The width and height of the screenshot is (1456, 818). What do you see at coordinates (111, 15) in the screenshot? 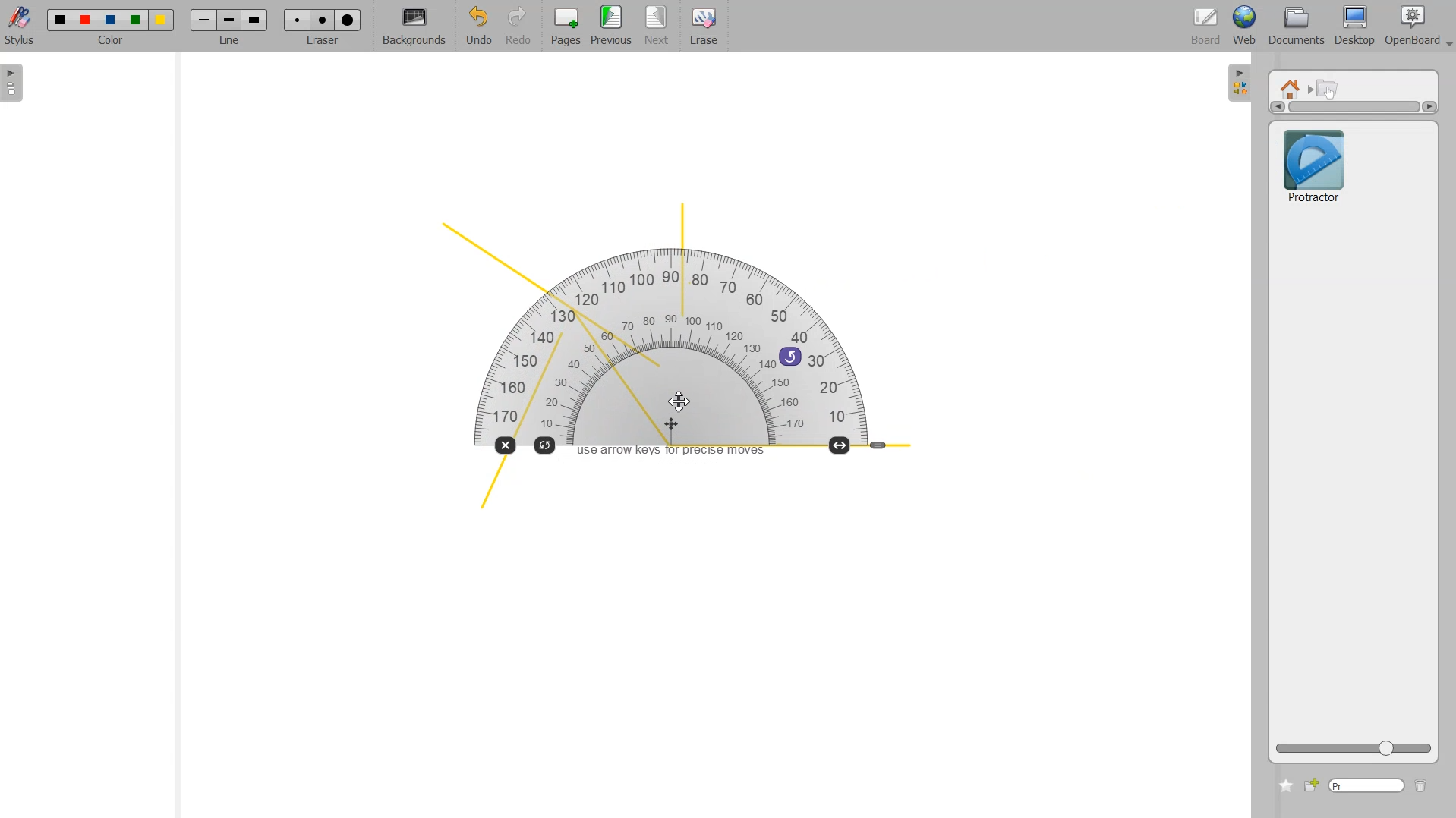
I see `Color` at bounding box center [111, 15].